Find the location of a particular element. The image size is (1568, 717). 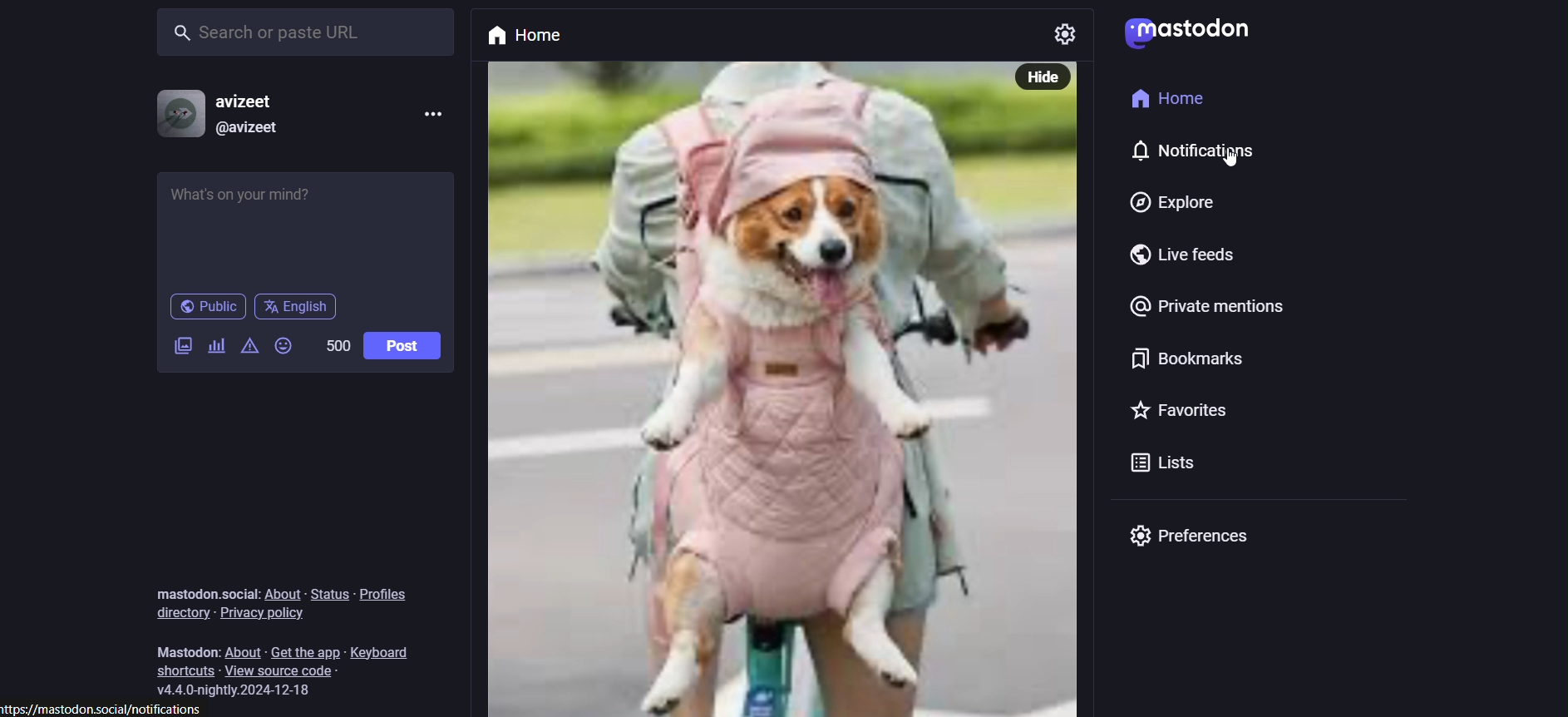

profile picture is located at coordinates (177, 114).